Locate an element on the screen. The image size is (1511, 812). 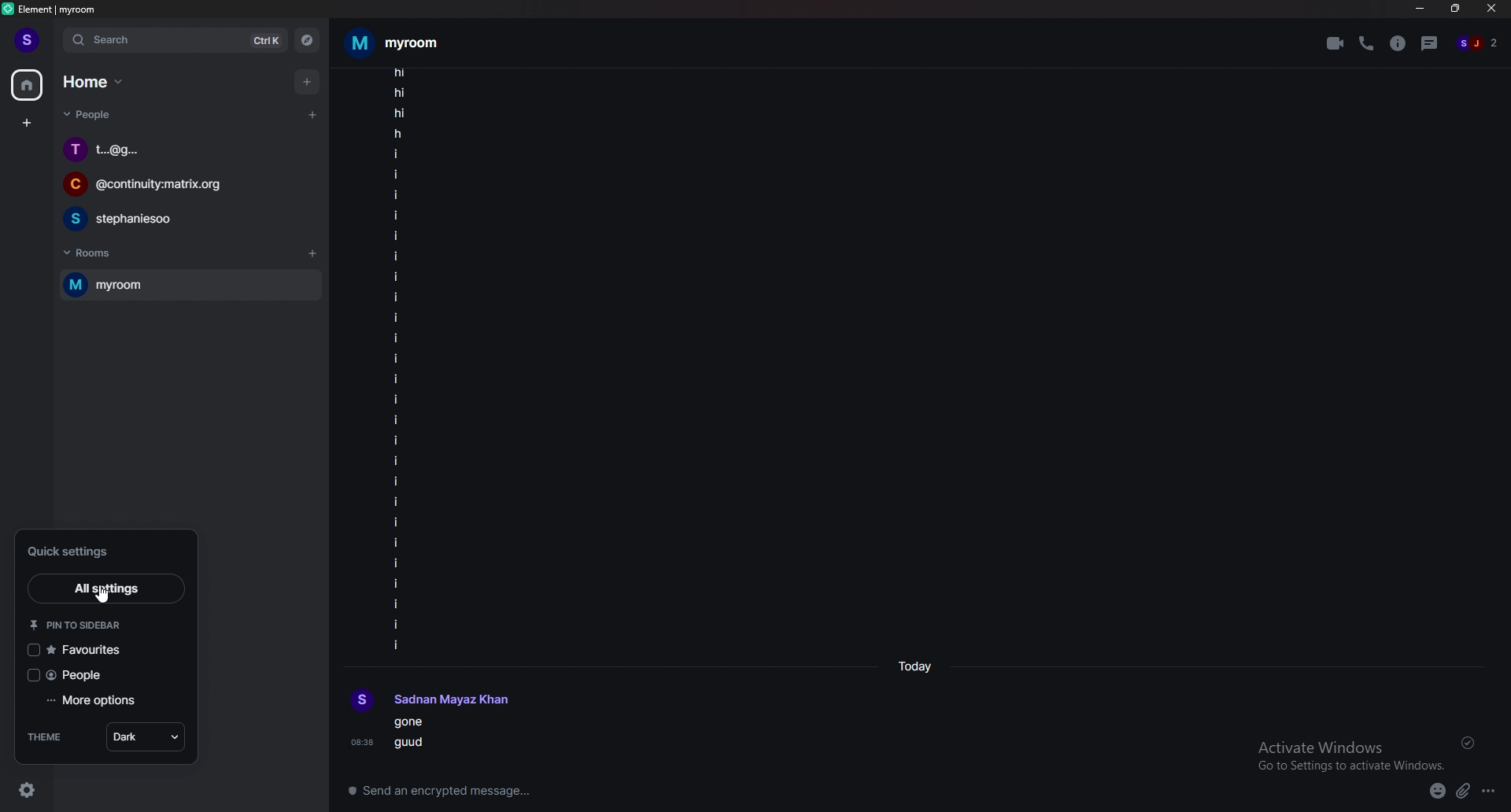
create a space is located at coordinates (25, 123).